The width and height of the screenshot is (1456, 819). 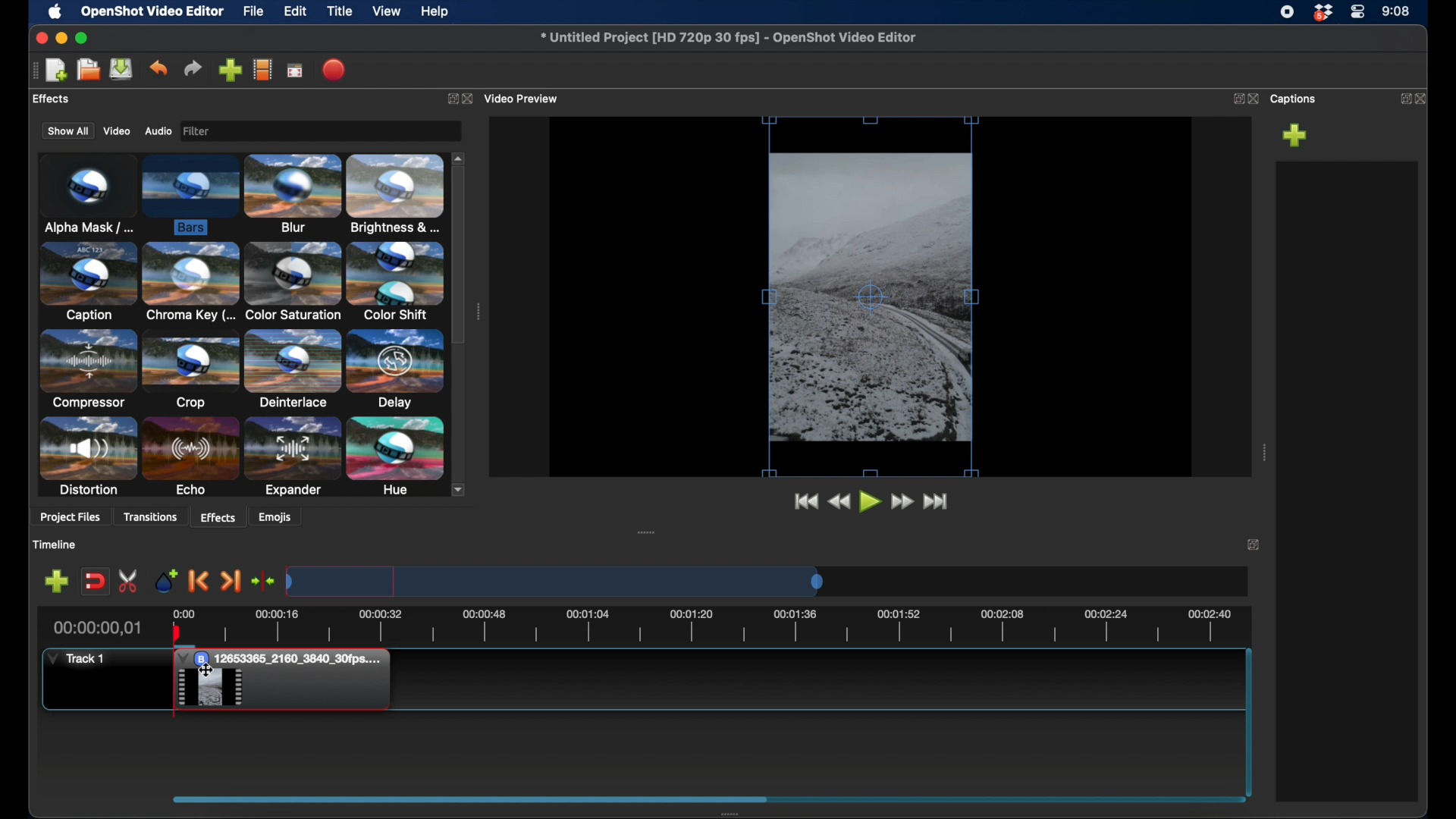 I want to click on expand, so click(x=1254, y=546).